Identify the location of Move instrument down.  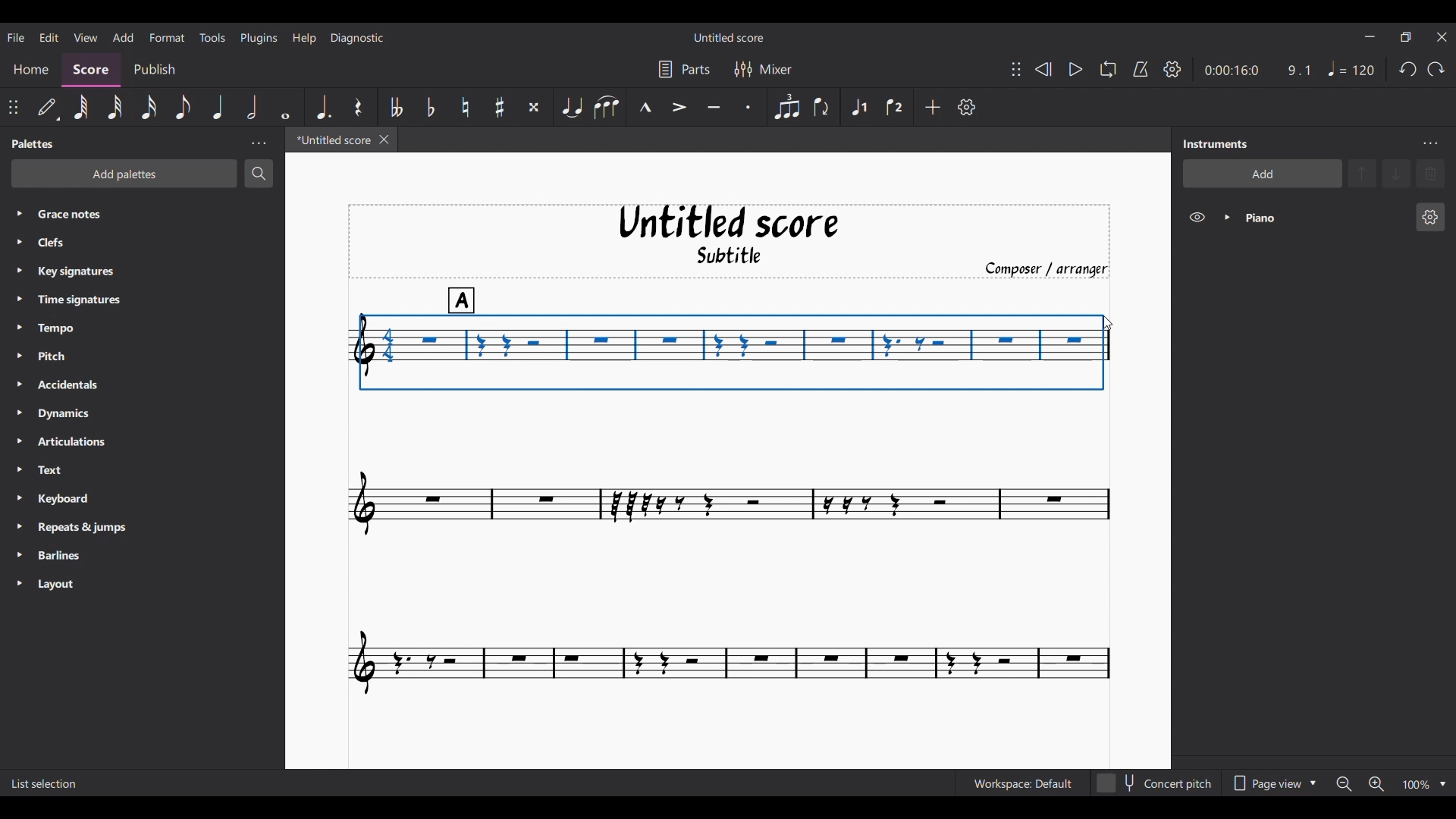
(1396, 173).